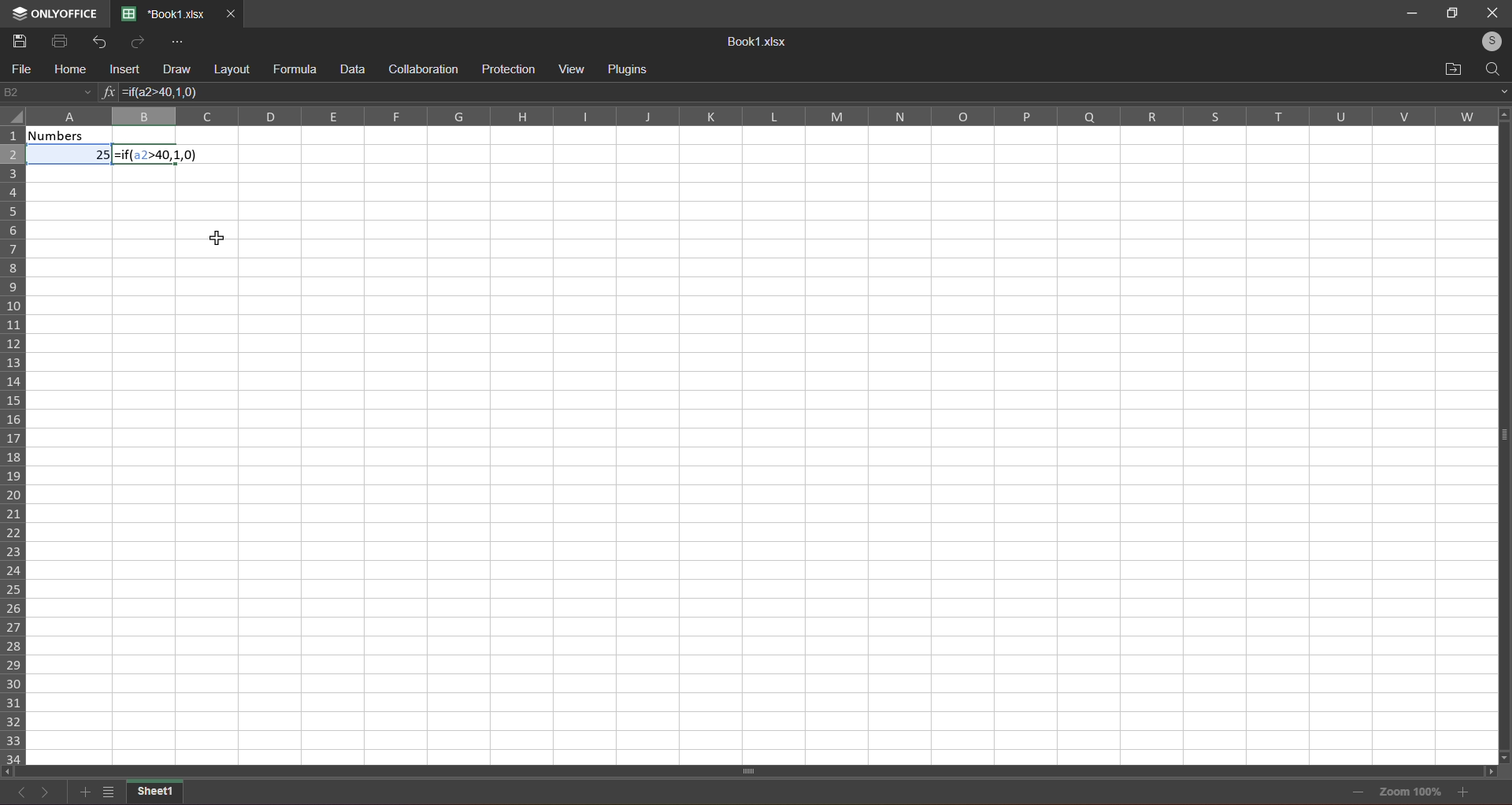 This screenshot has width=1512, height=805. Describe the element at coordinates (13, 771) in the screenshot. I see `scroll left` at that location.